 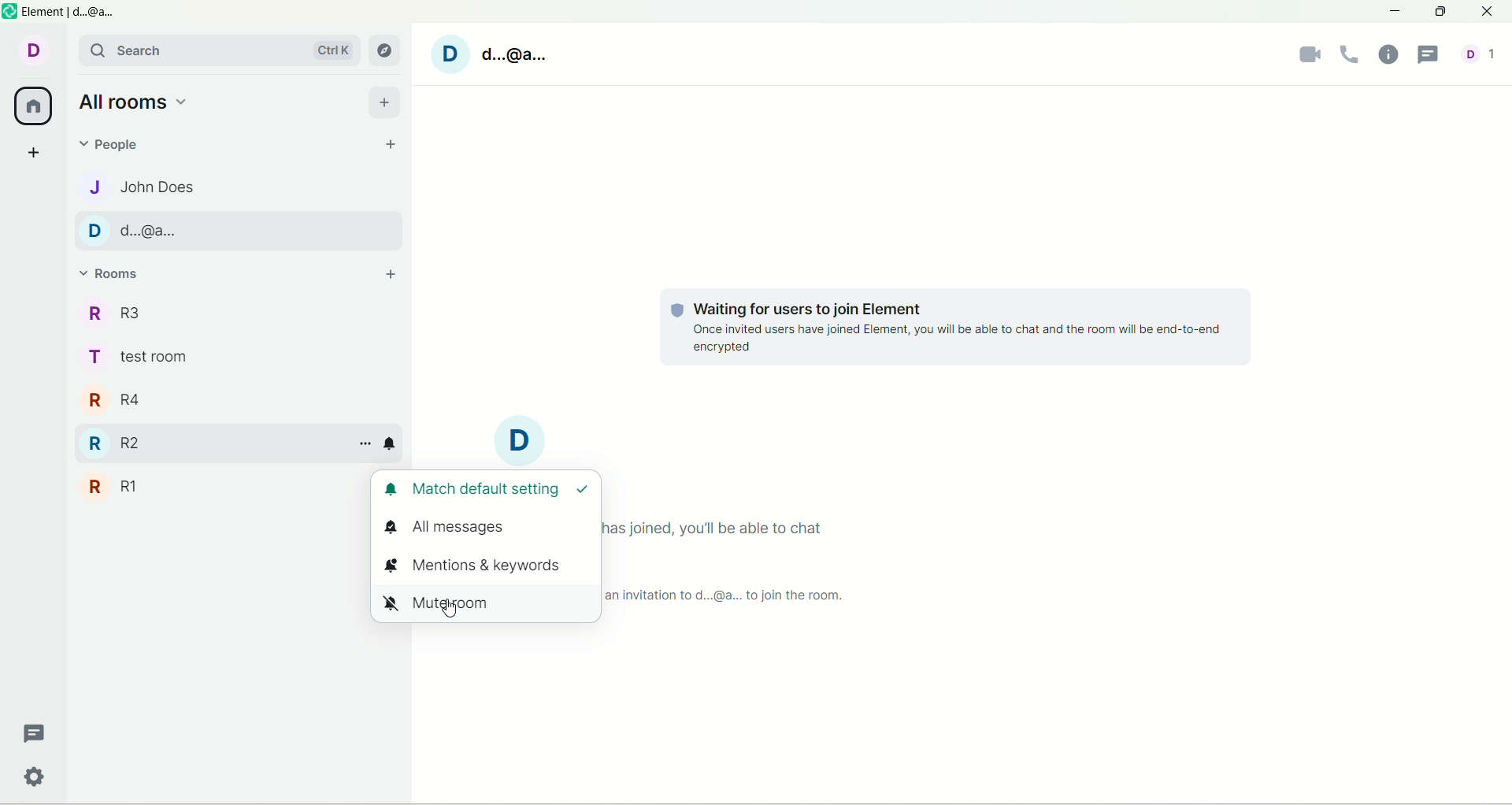 What do you see at coordinates (394, 447) in the screenshot?
I see `notification options` at bounding box center [394, 447].